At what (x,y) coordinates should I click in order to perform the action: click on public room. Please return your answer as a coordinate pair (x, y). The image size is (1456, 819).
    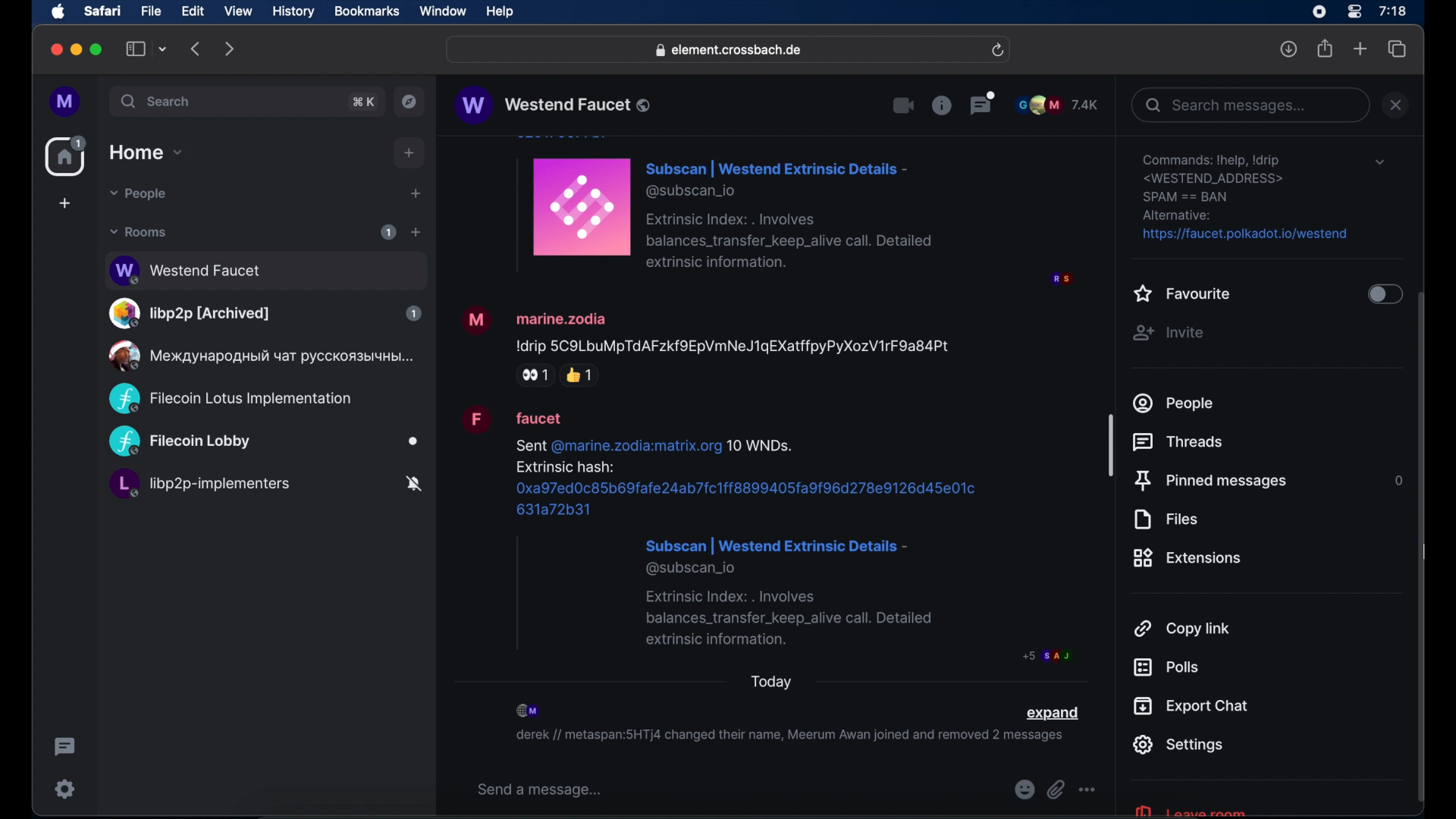
    Looking at the image, I should click on (265, 268).